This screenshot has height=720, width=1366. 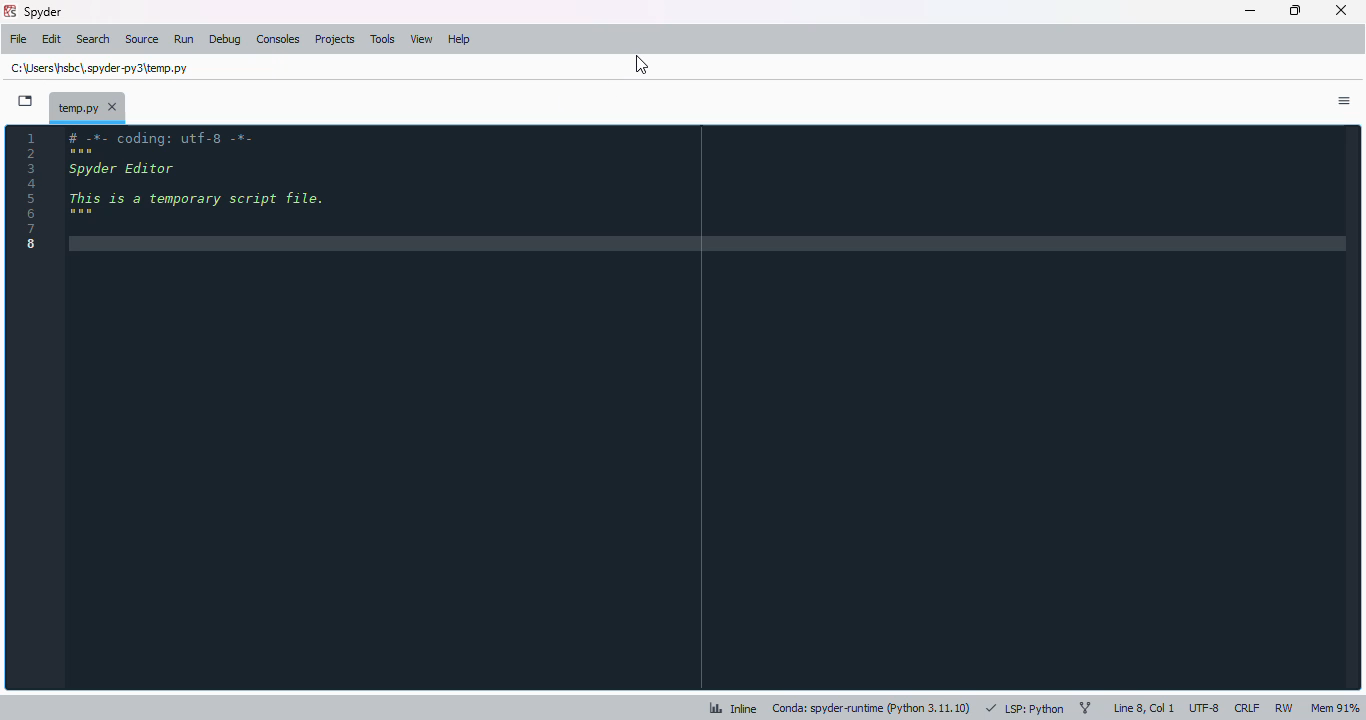 What do you see at coordinates (871, 709) in the screenshot?
I see `conda: spyder-runtime (python 3. 11. 10)` at bounding box center [871, 709].